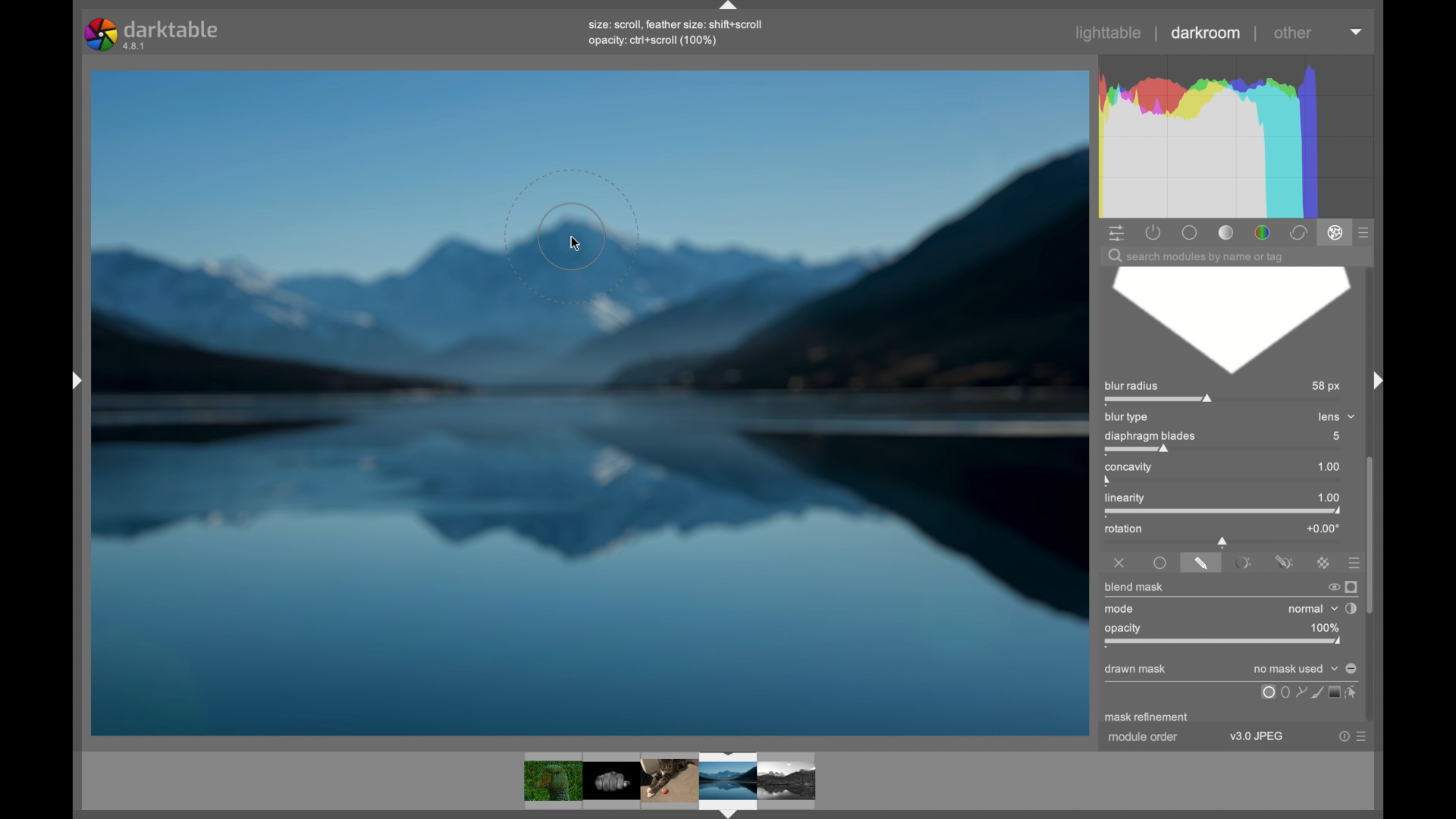  Describe the element at coordinates (1323, 561) in the screenshot. I see `rastermask` at that location.